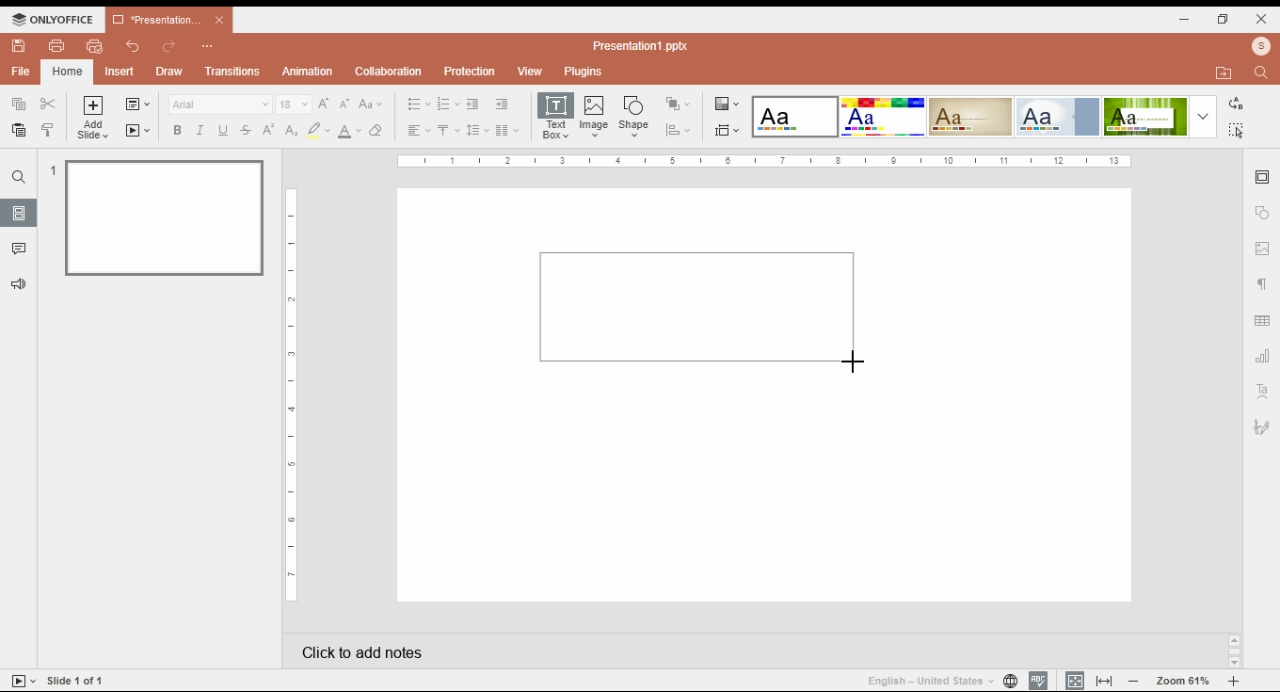 This screenshot has width=1280, height=692. Describe the element at coordinates (473, 104) in the screenshot. I see `decrease indent` at that location.